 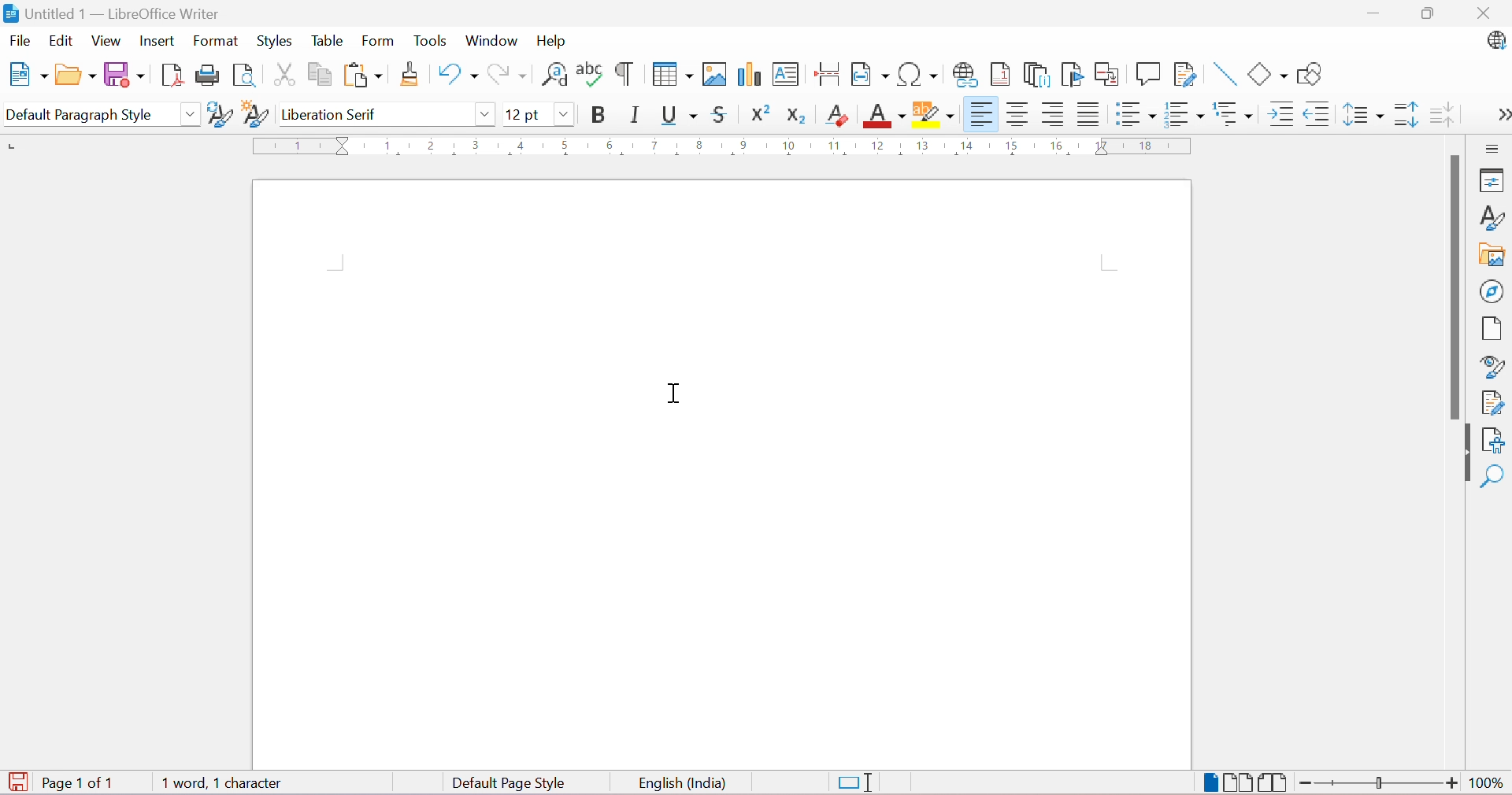 What do you see at coordinates (589, 75) in the screenshot?
I see `Check Spelling` at bounding box center [589, 75].